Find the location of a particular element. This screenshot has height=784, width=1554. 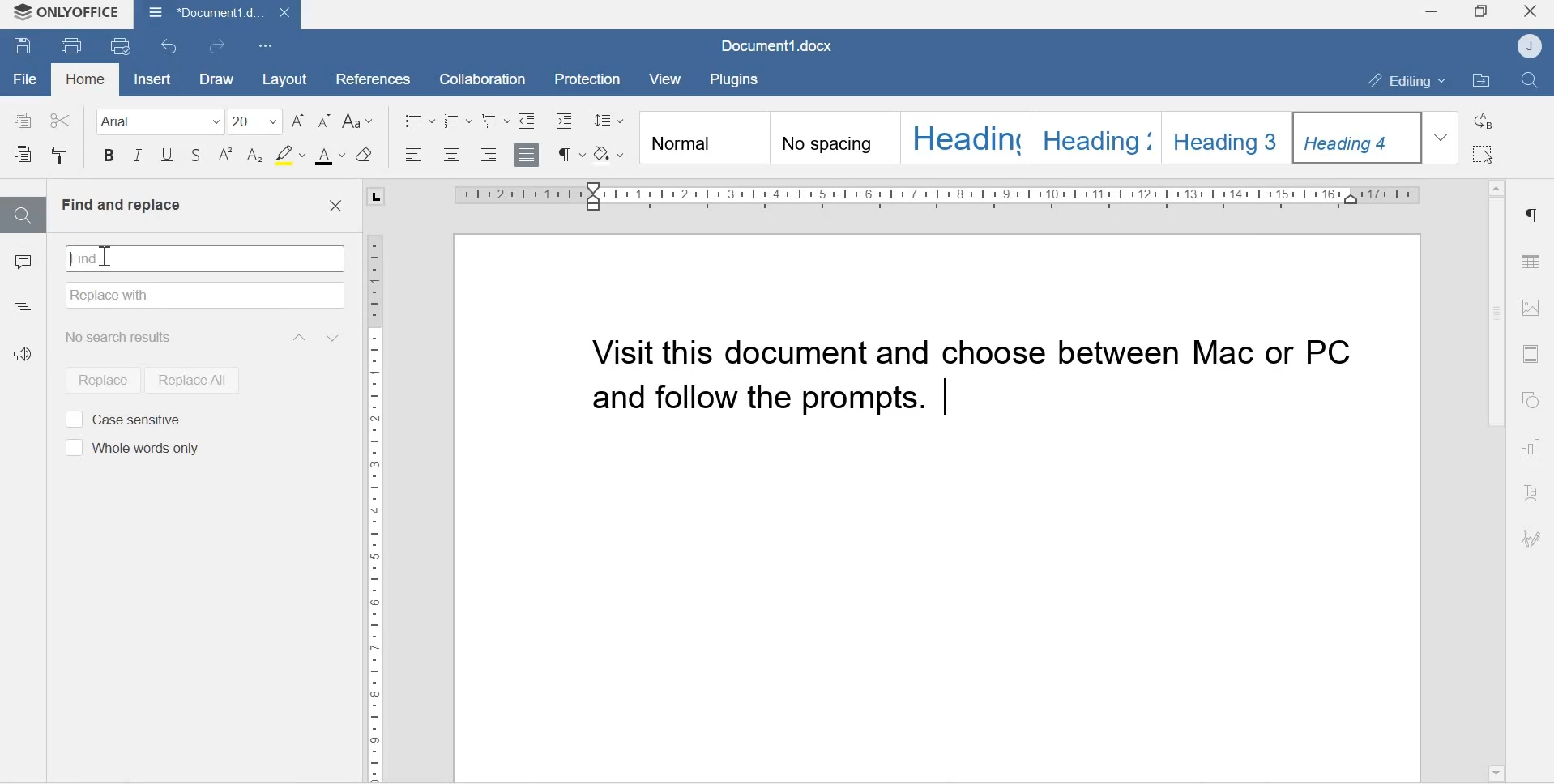

Maximize is located at coordinates (1481, 13).